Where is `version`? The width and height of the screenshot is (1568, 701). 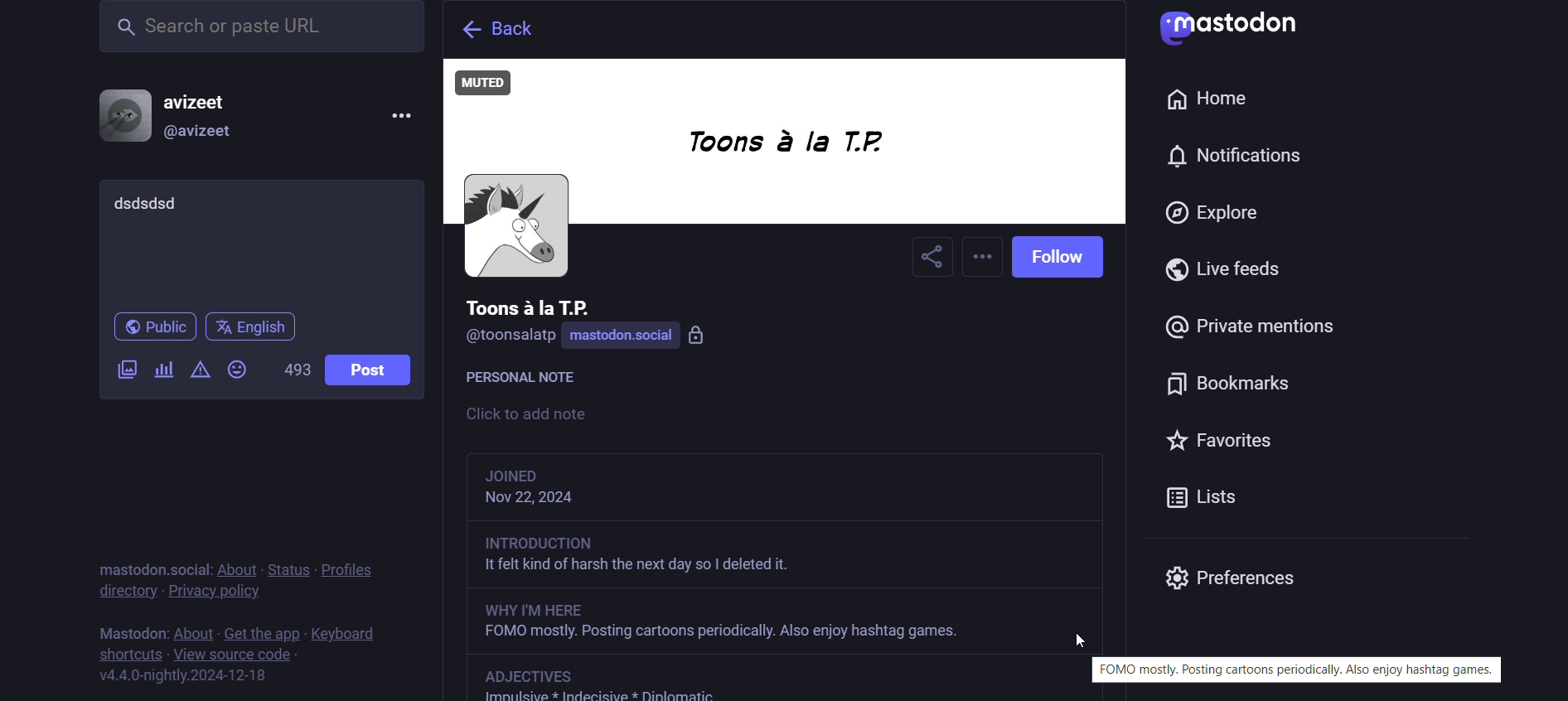 version is located at coordinates (191, 676).